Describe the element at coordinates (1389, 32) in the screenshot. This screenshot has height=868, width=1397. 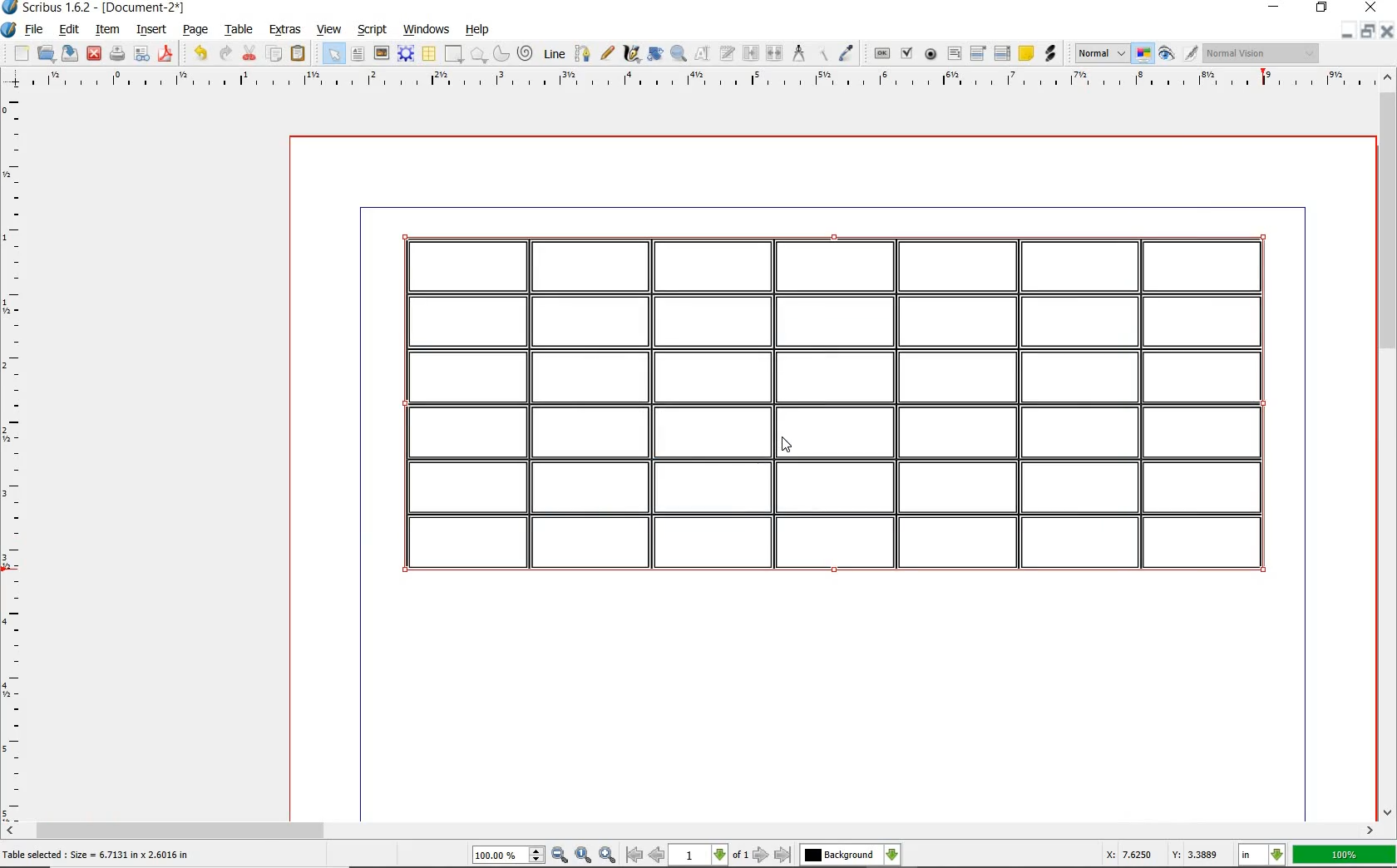
I see `close` at that location.